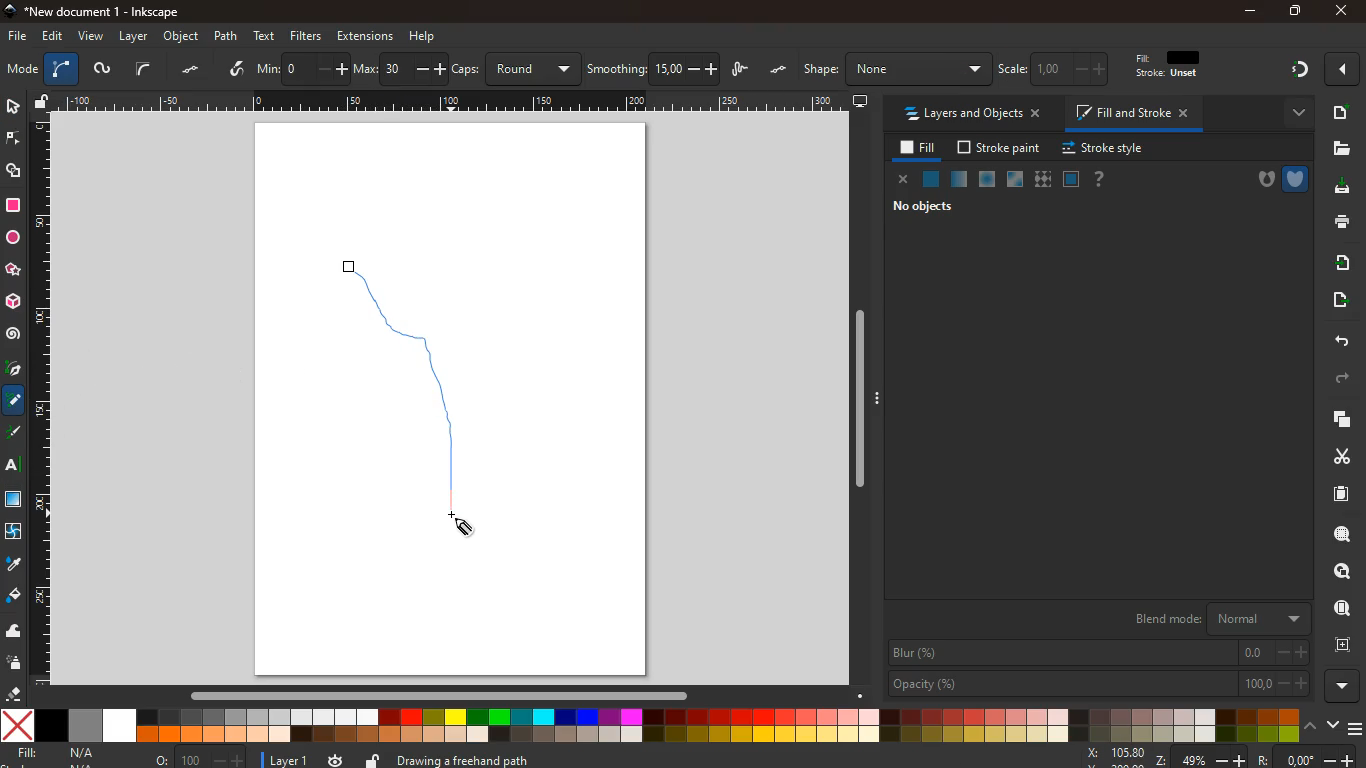  What do you see at coordinates (1336, 340) in the screenshot?
I see `back` at bounding box center [1336, 340].